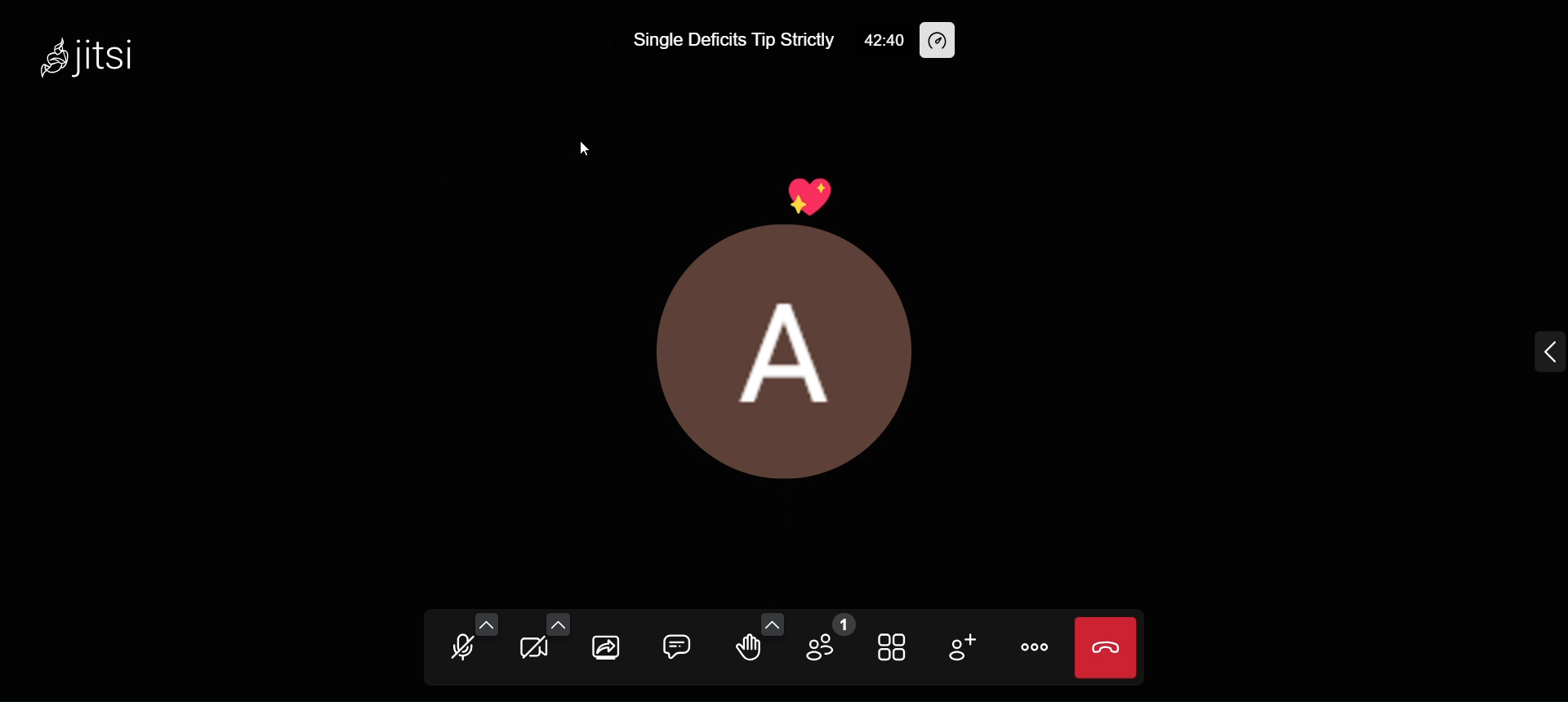 This screenshot has height=702, width=1568. What do you see at coordinates (773, 623) in the screenshot?
I see `more reactions` at bounding box center [773, 623].